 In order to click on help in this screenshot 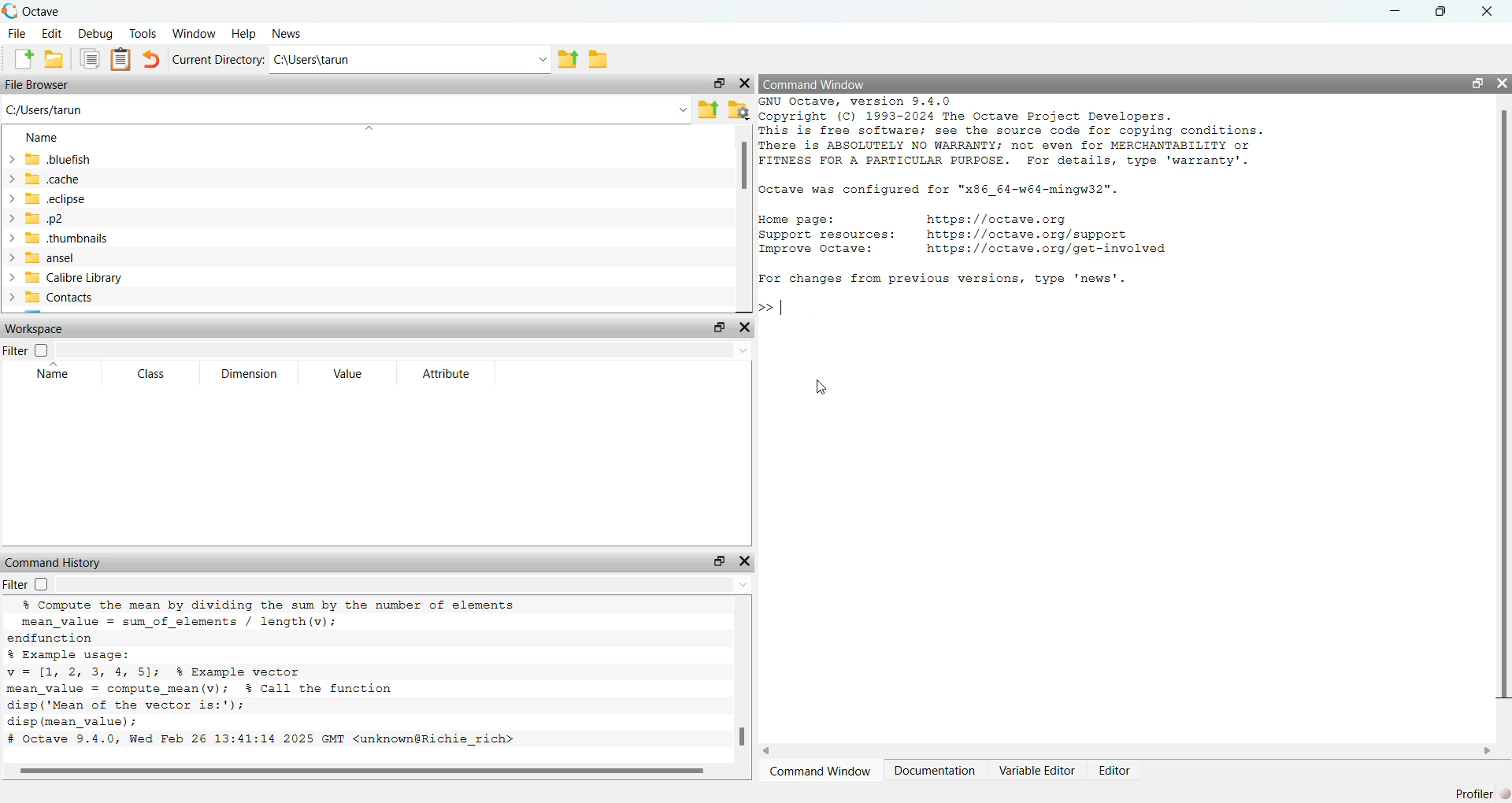, I will do `click(244, 33)`.